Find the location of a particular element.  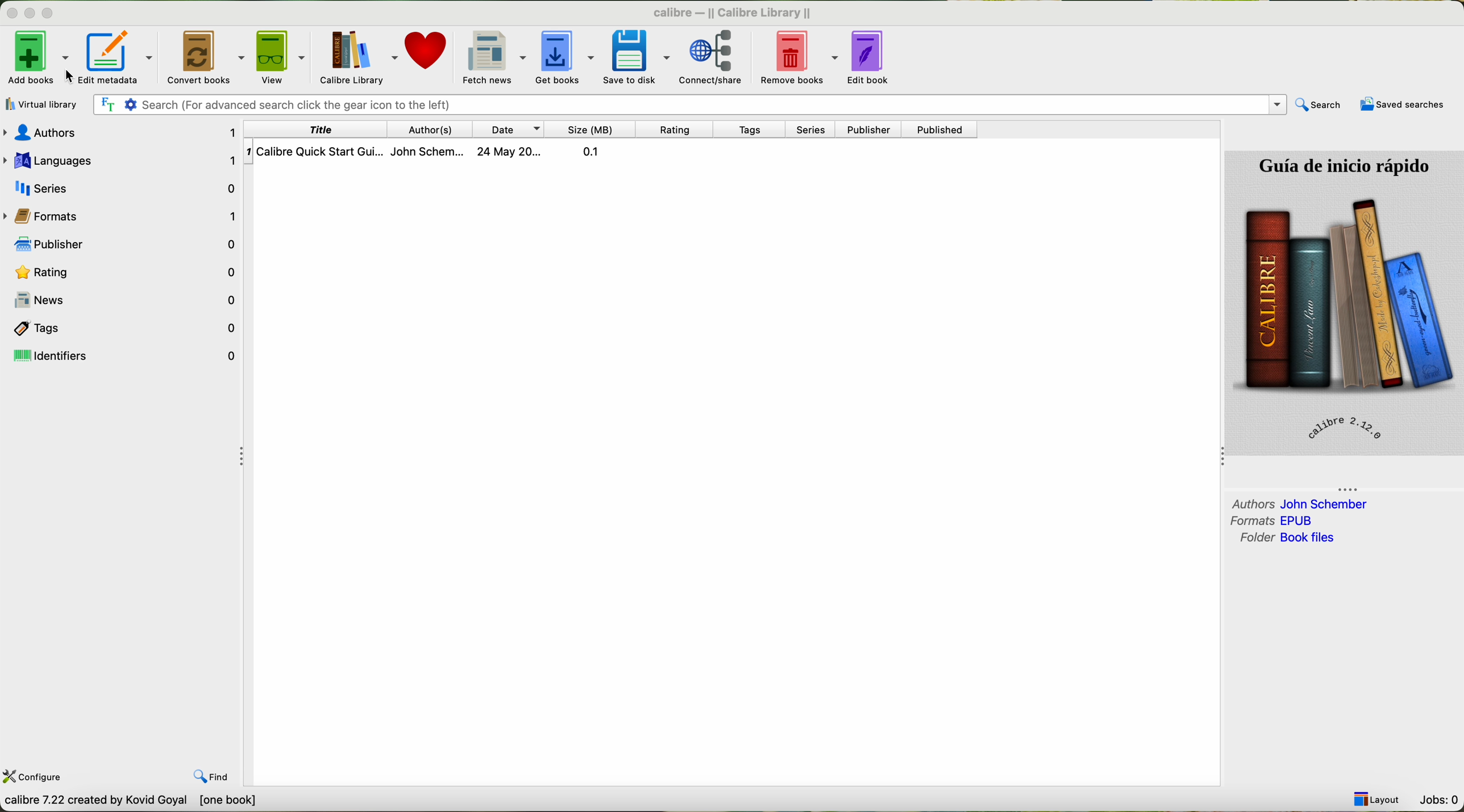

fetch news is located at coordinates (494, 56).